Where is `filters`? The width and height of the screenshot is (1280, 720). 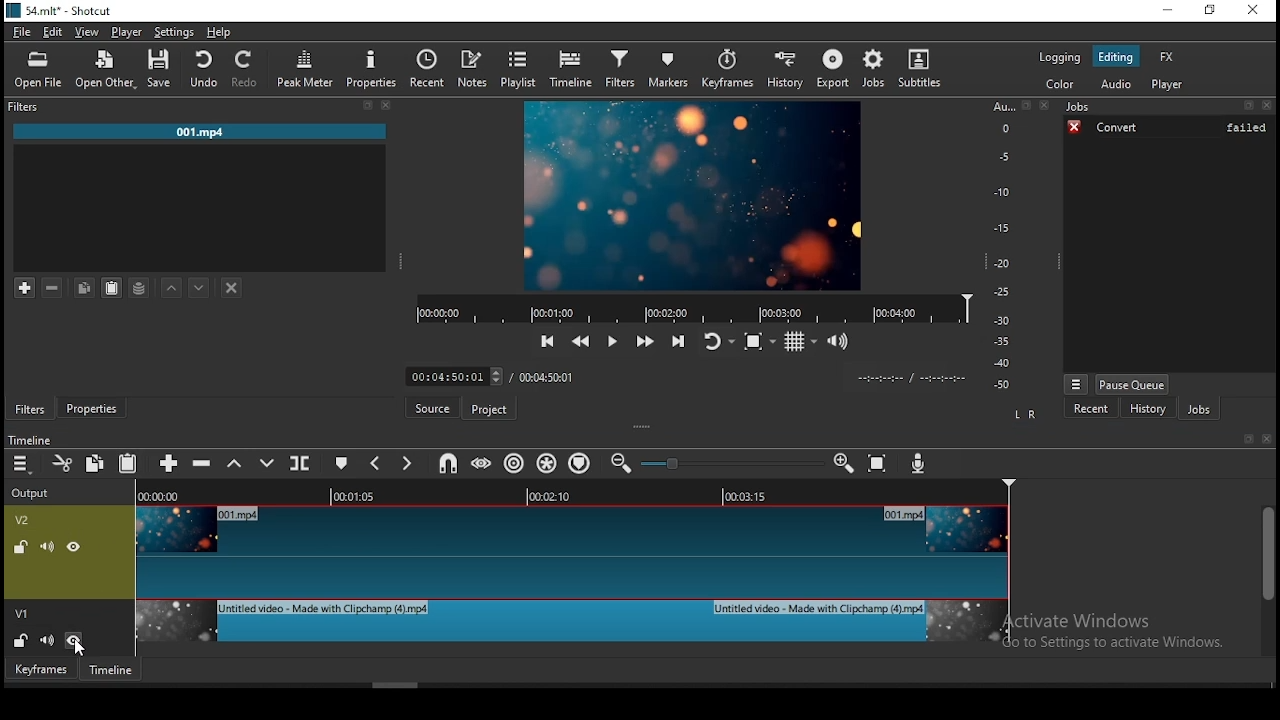
filters is located at coordinates (619, 68).